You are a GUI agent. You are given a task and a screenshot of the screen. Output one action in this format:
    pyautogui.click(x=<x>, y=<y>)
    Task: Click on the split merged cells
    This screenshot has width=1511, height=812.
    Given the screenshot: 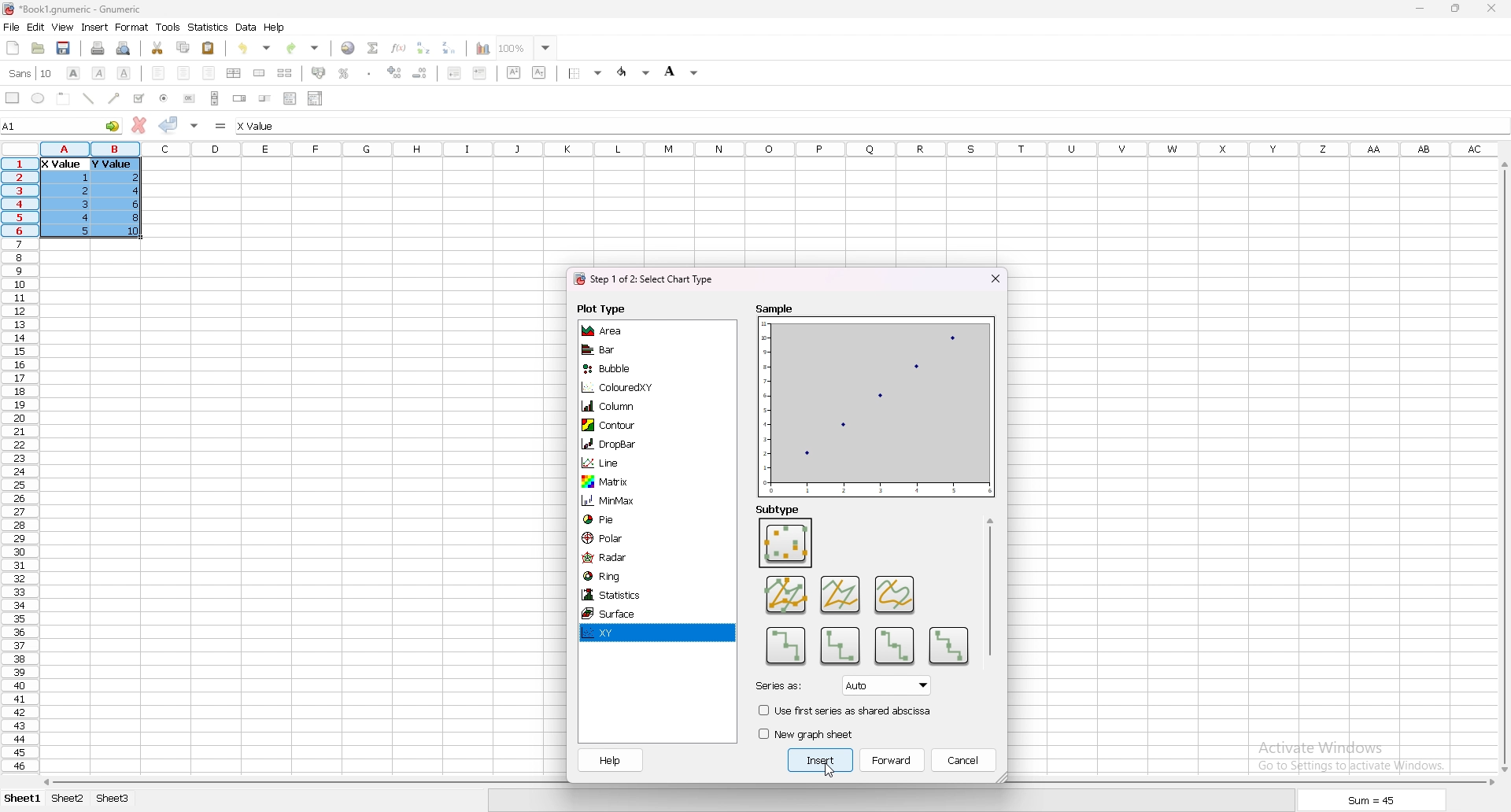 What is the action you would take?
    pyautogui.click(x=284, y=73)
    